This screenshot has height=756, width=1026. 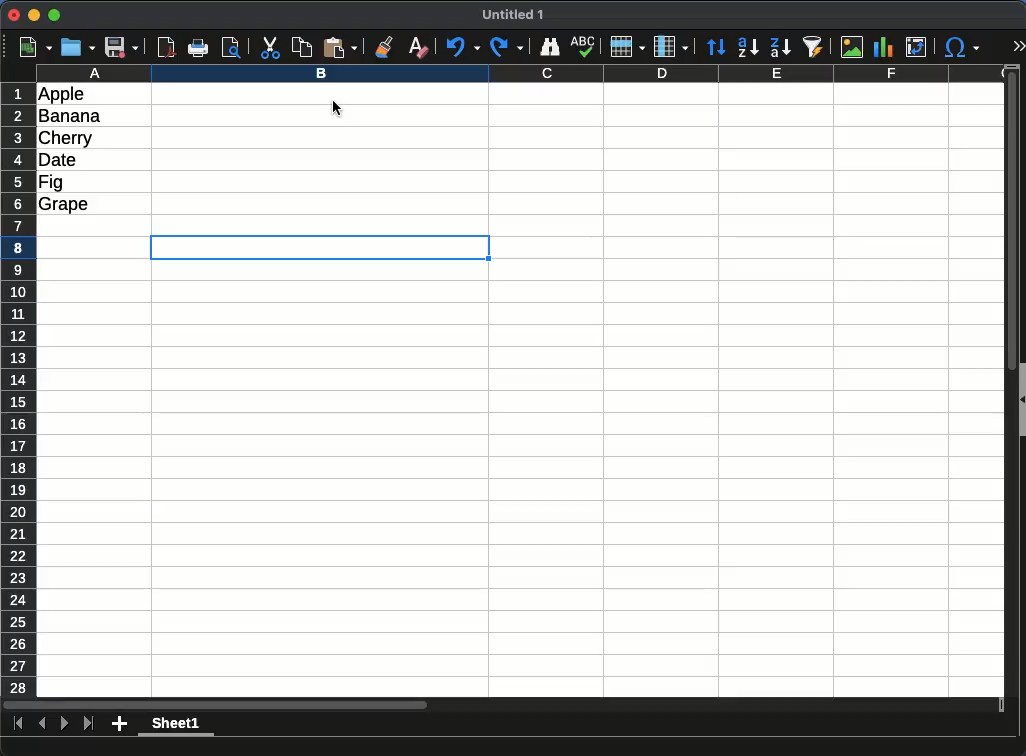 What do you see at coordinates (337, 108) in the screenshot?
I see `cursor` at bounding box center [337, 108].